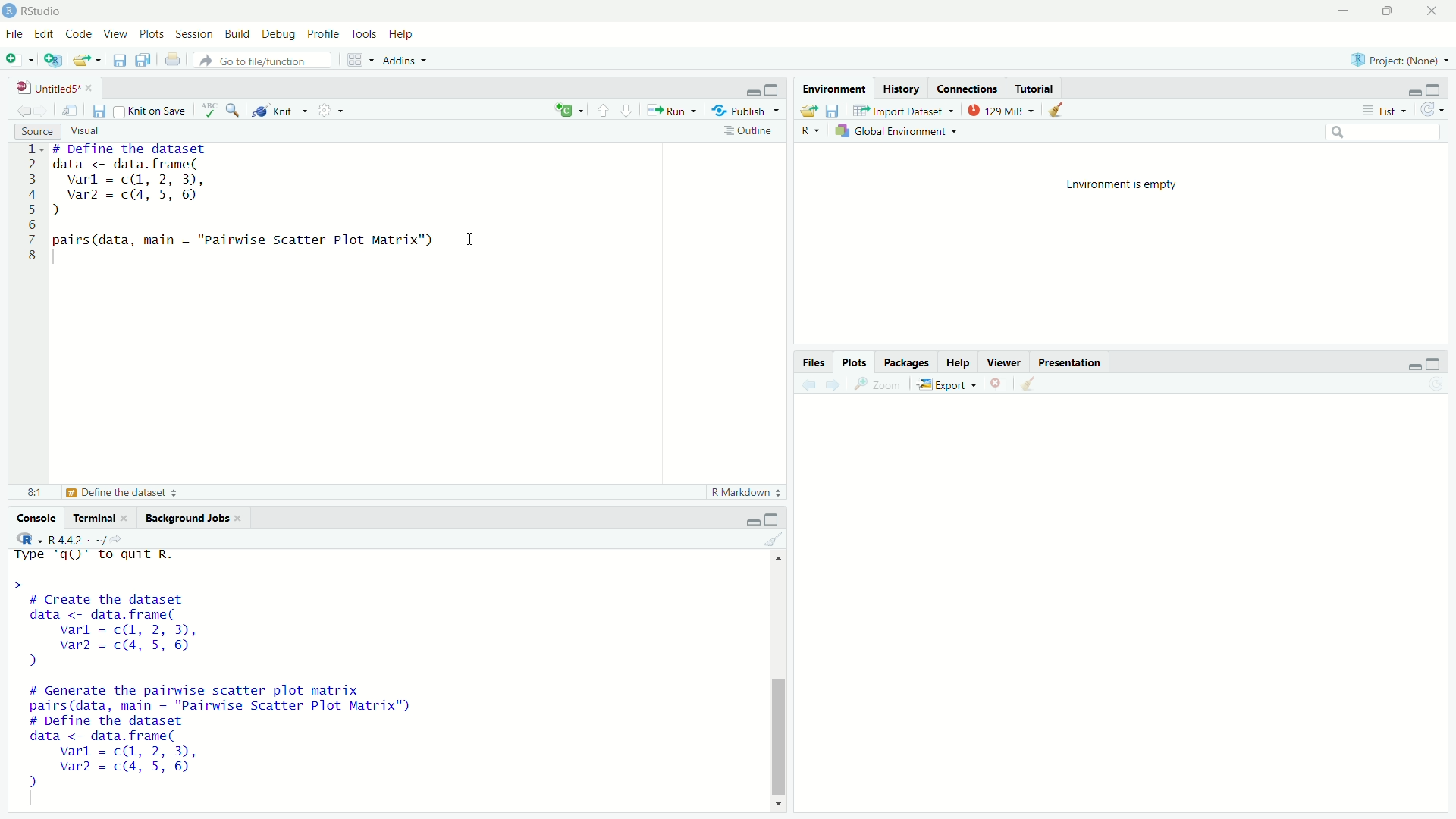  Describe the element at coordinates (45, 32) in the screenshot. I see `Edit` at that location.